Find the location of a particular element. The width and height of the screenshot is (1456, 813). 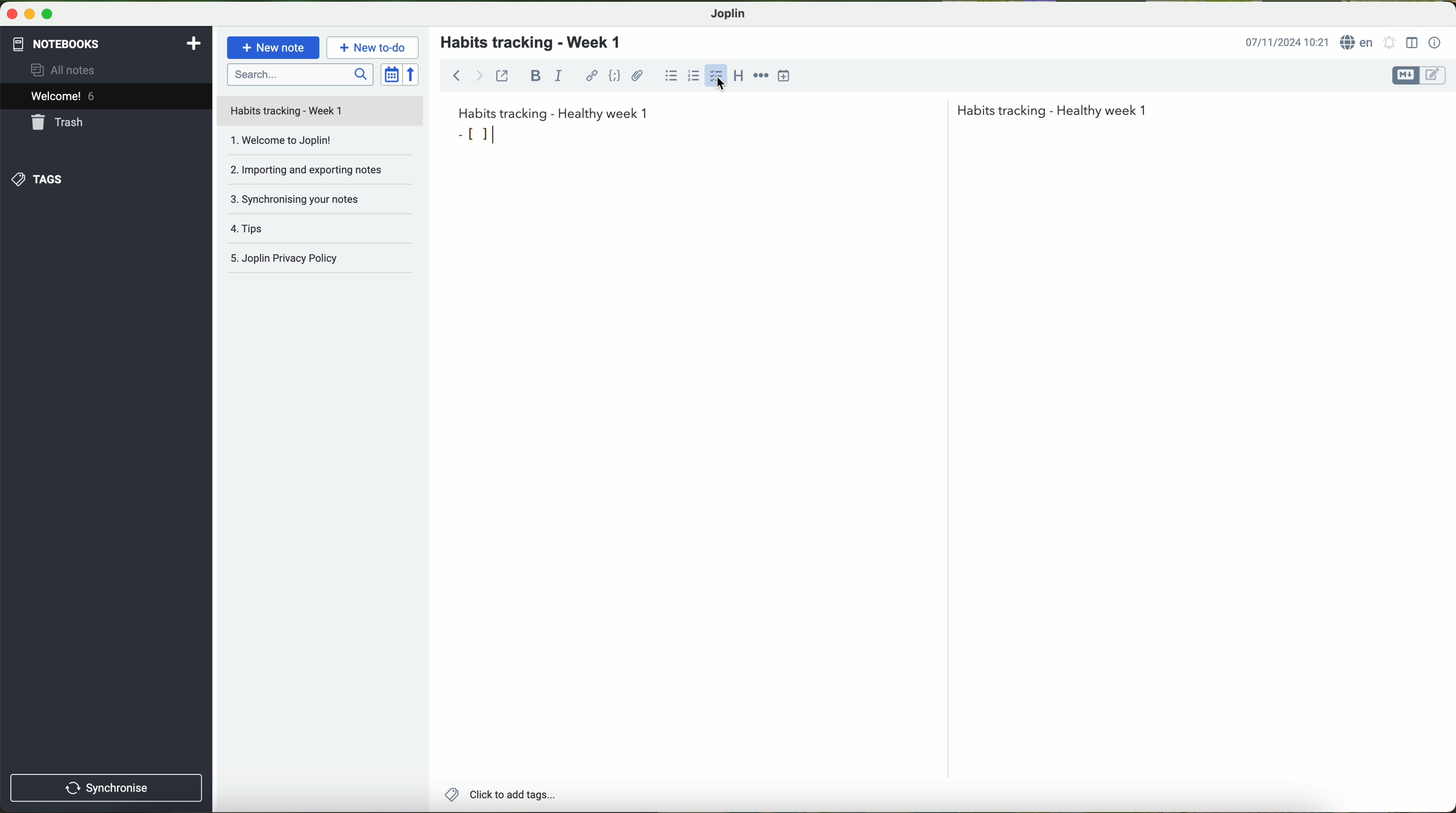

minimize is located at coordinates (27, 13).